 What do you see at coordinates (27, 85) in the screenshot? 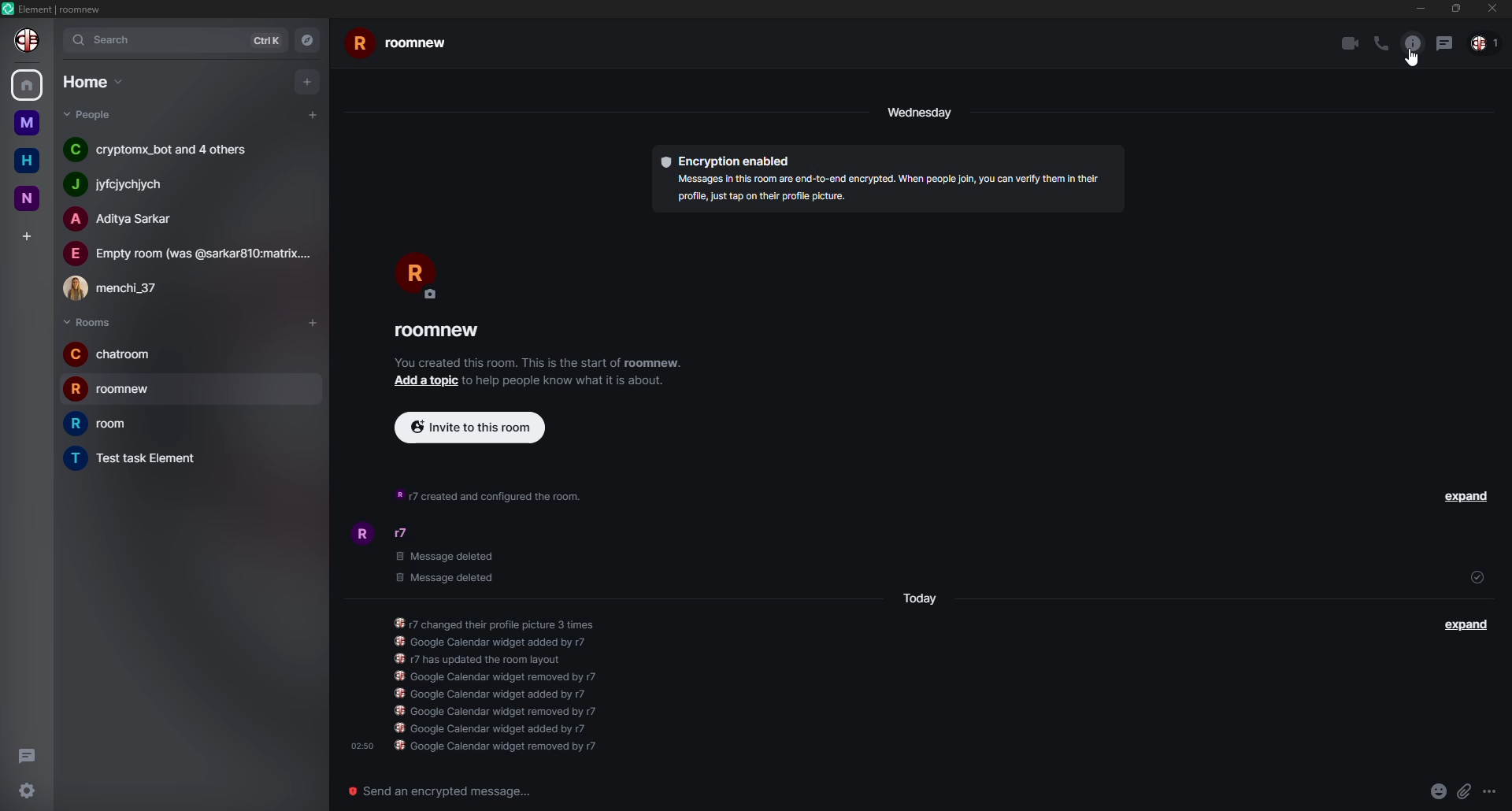
I see `home` at bounding box center [27, 85].